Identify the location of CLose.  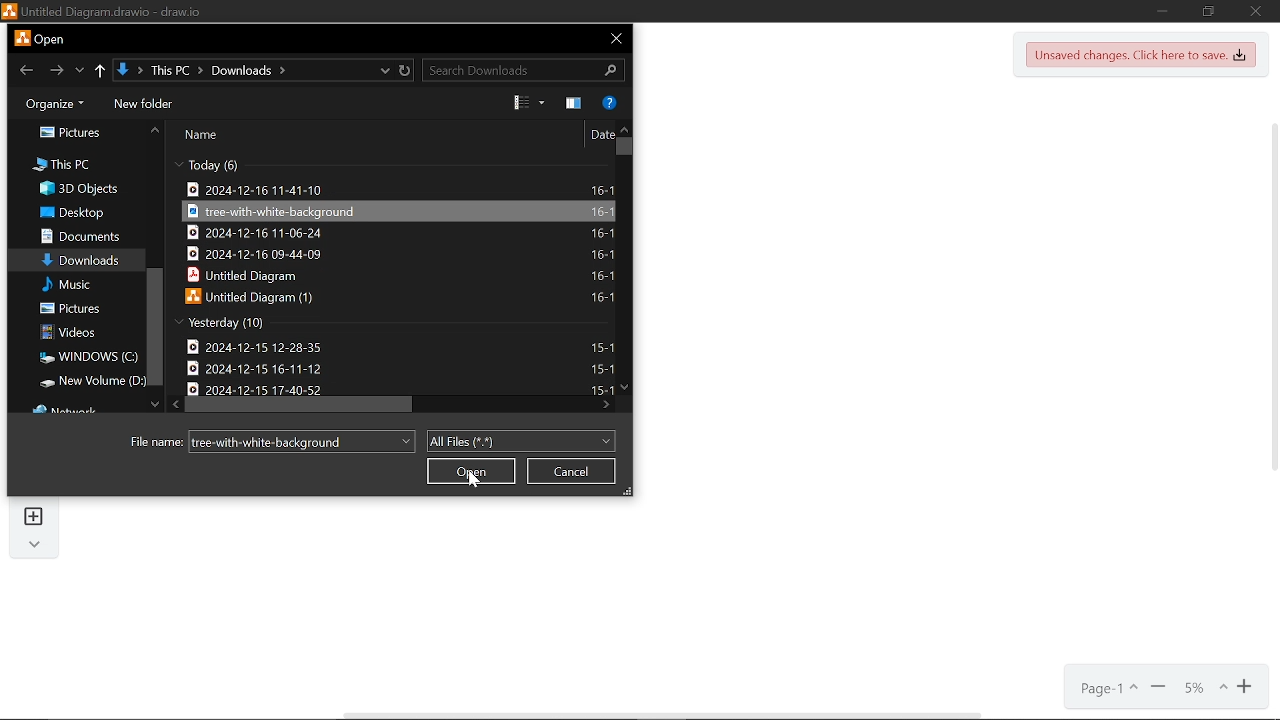
(615, 38).